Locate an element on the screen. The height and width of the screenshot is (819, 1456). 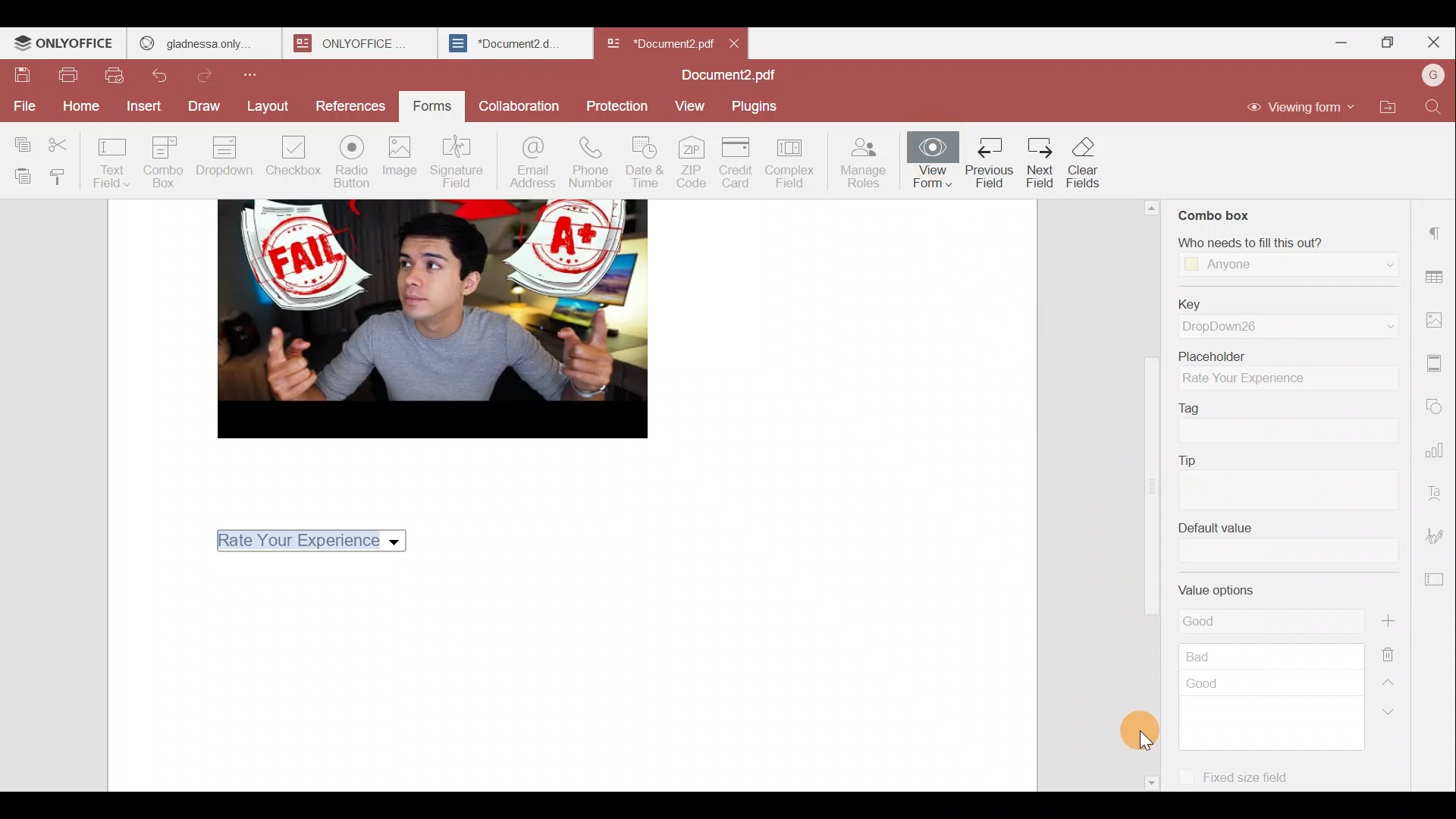
Collaboration is located at coordinates (518, 105).